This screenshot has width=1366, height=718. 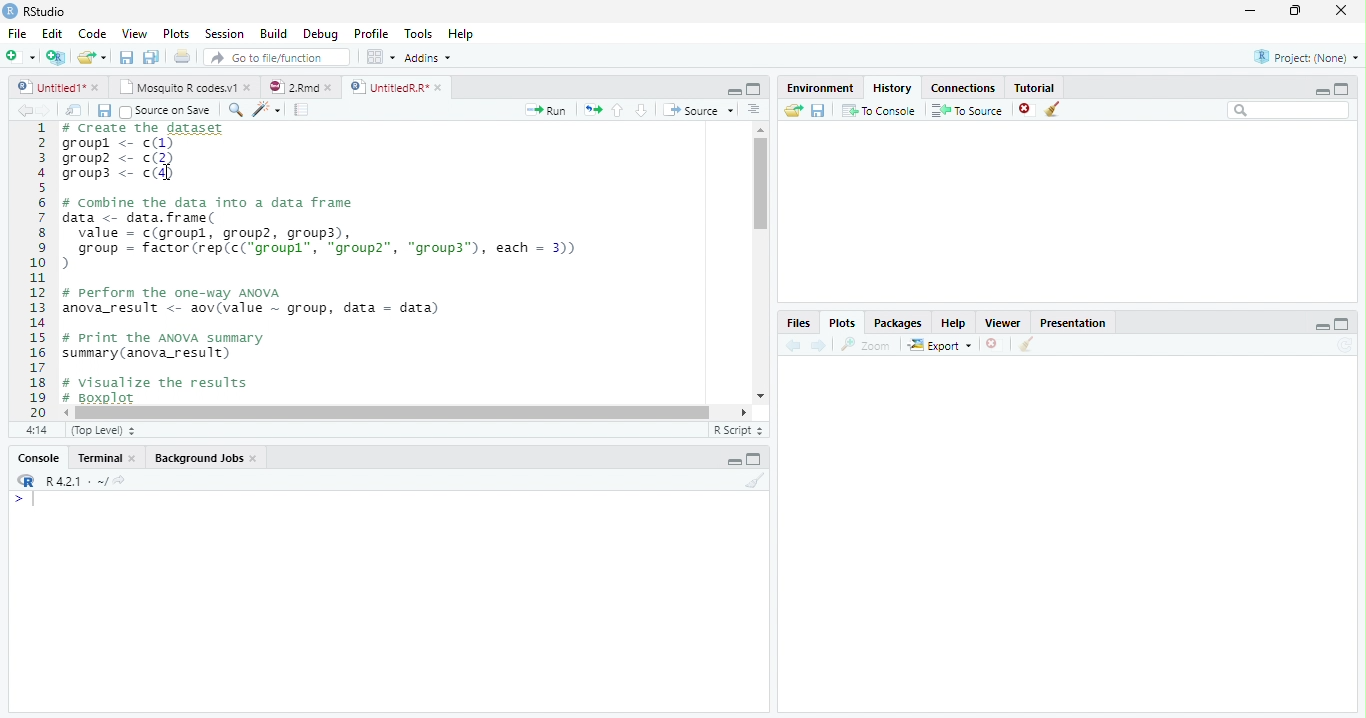 I want to click on History, so click(x=893, y=87).